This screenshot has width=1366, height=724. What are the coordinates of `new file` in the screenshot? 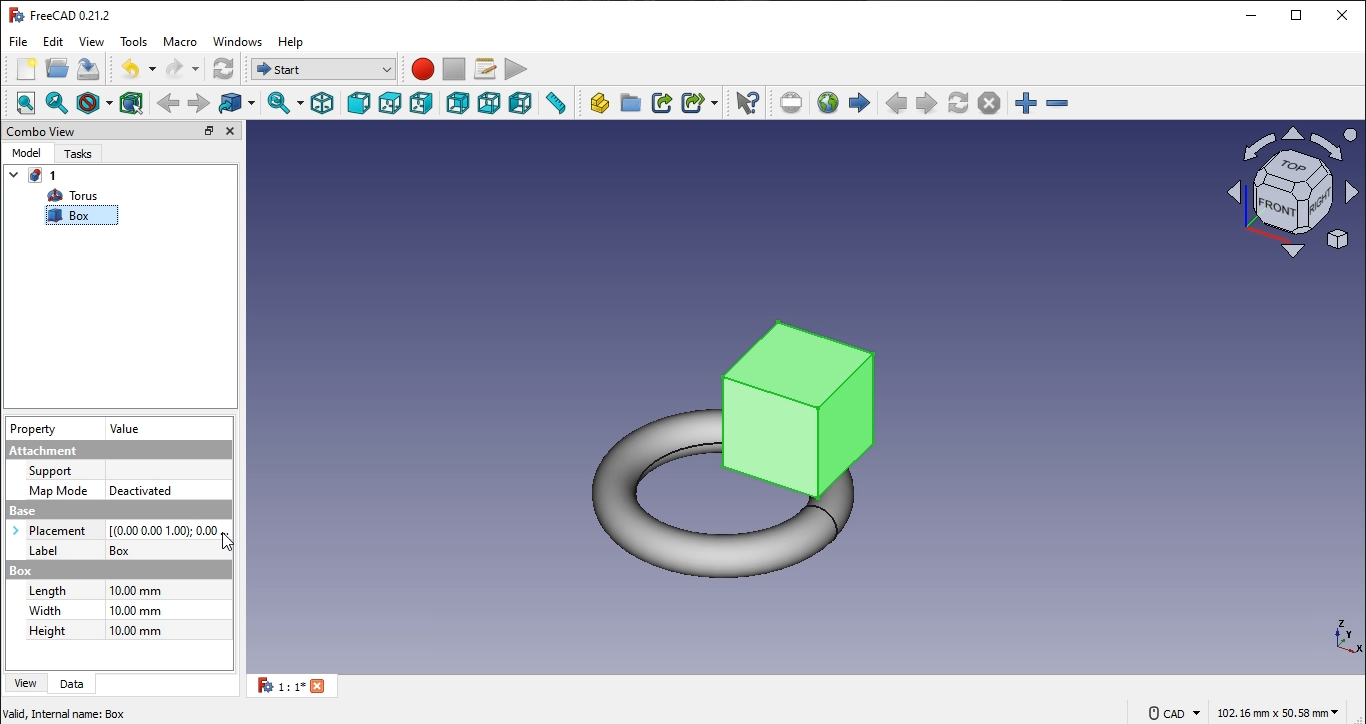 It's located at (28, 69).